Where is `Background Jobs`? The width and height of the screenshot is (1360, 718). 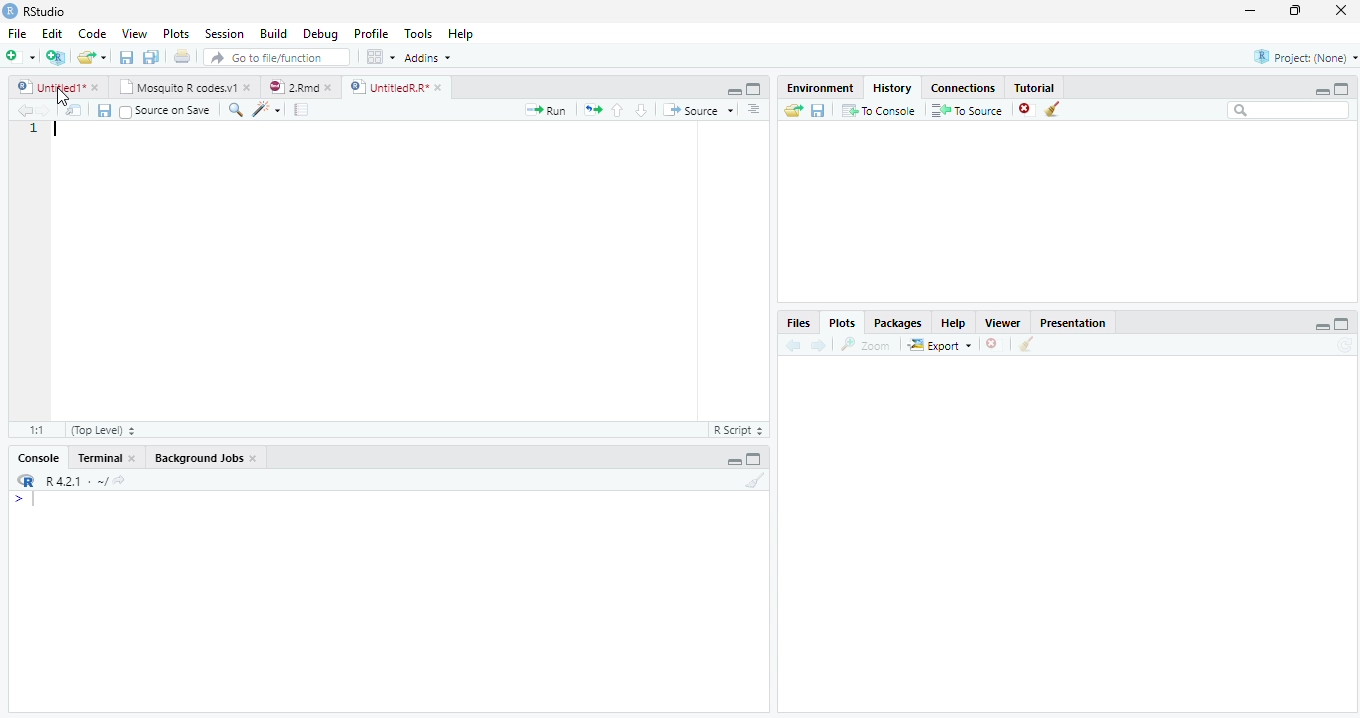
Background Jobs is located at coordinates (207, 457).